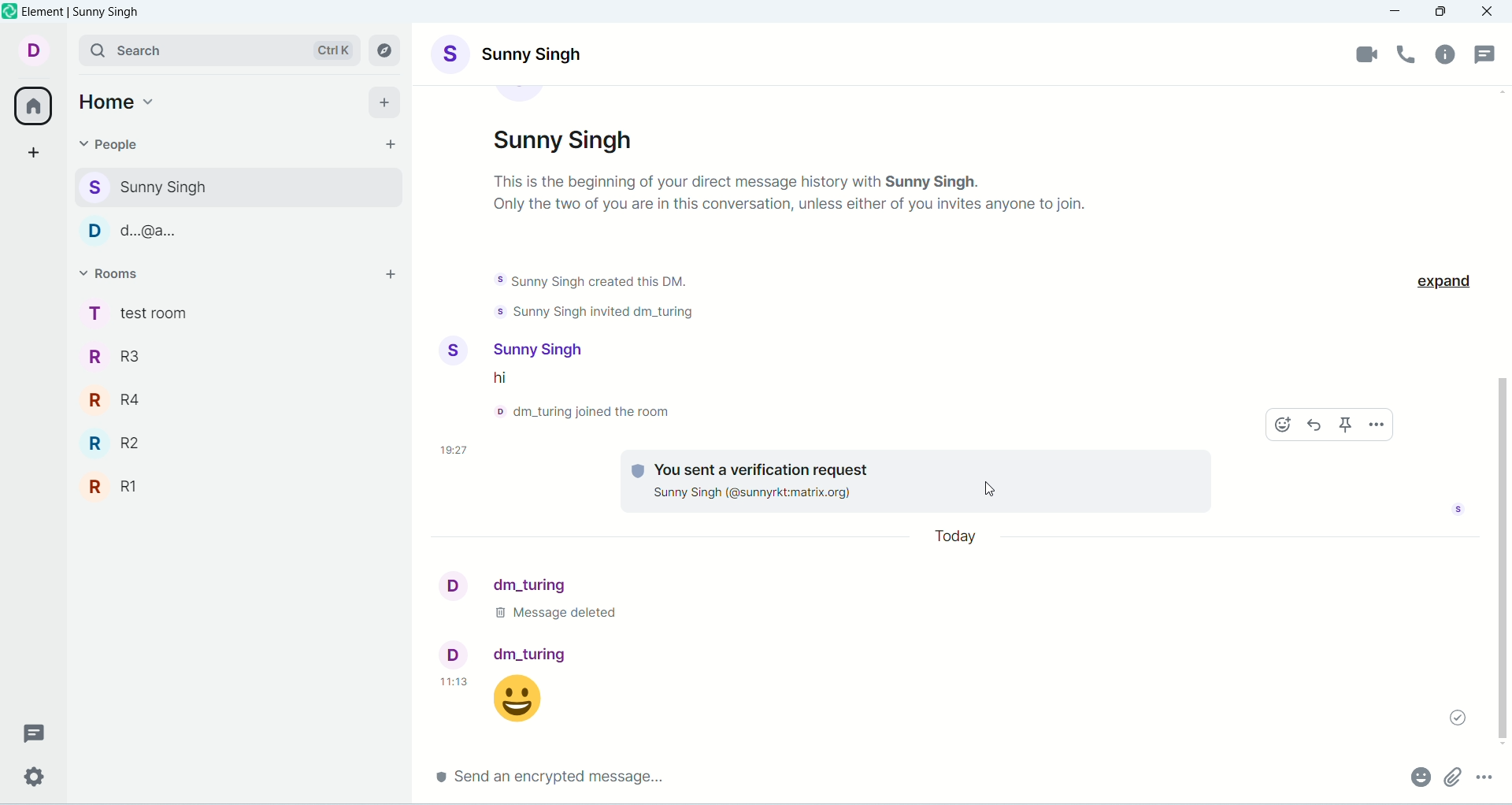 This screenshot has height=805, width=1512. What do you see at coordinates (498, 377) in the screenshot?
I see `text` at bounding box center [498, 377].